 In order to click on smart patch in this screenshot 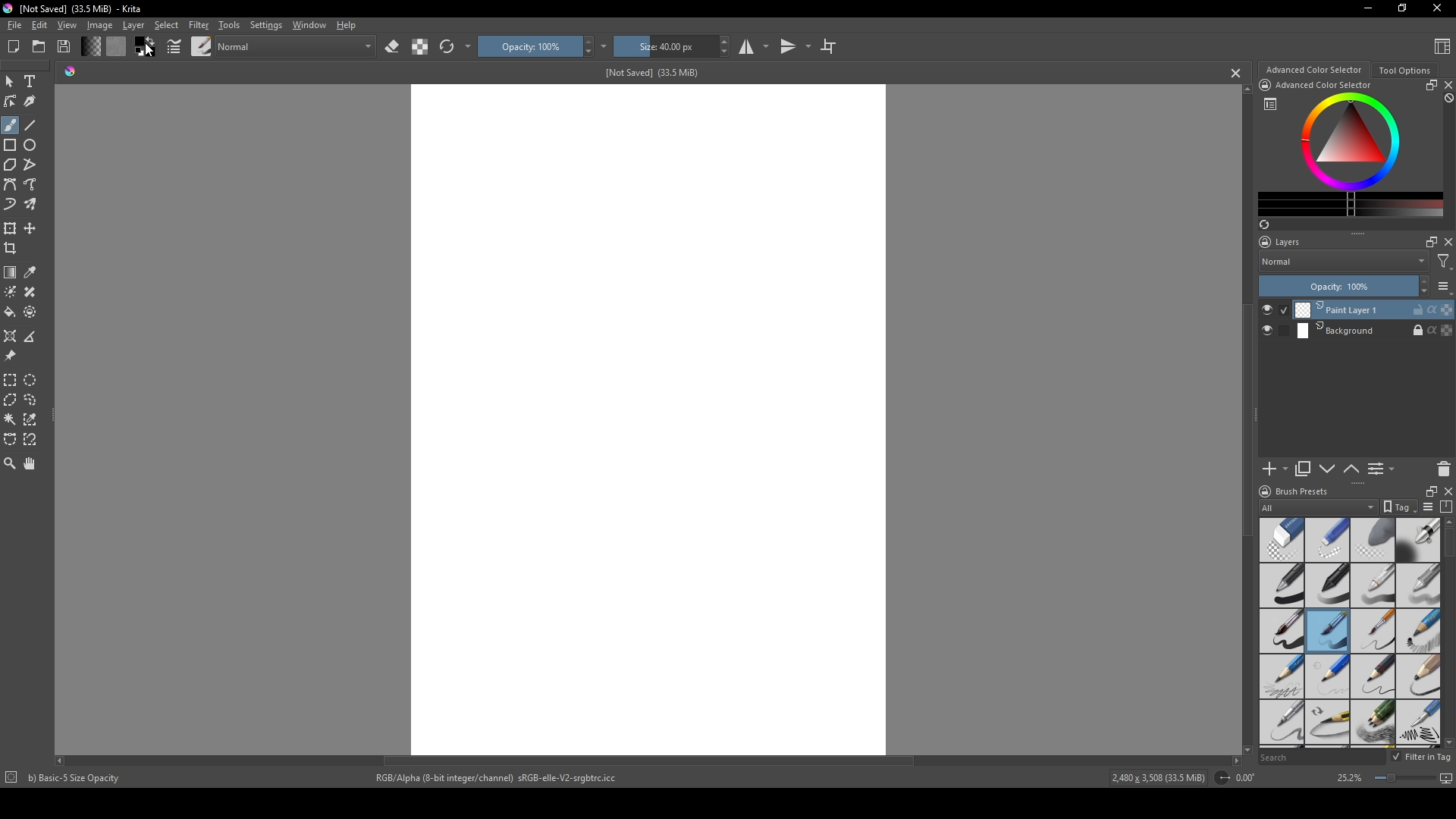, I will do `click(33, 292)`.